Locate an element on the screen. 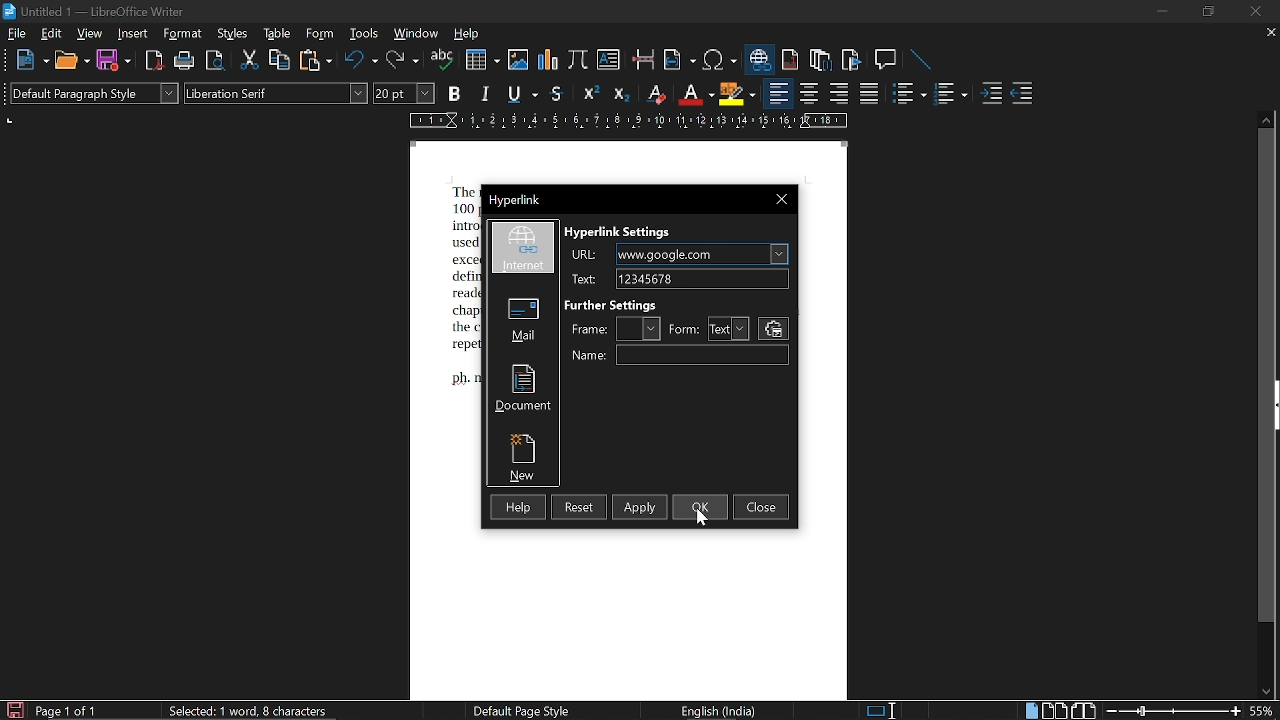  form is located at coordinates (684, 330).